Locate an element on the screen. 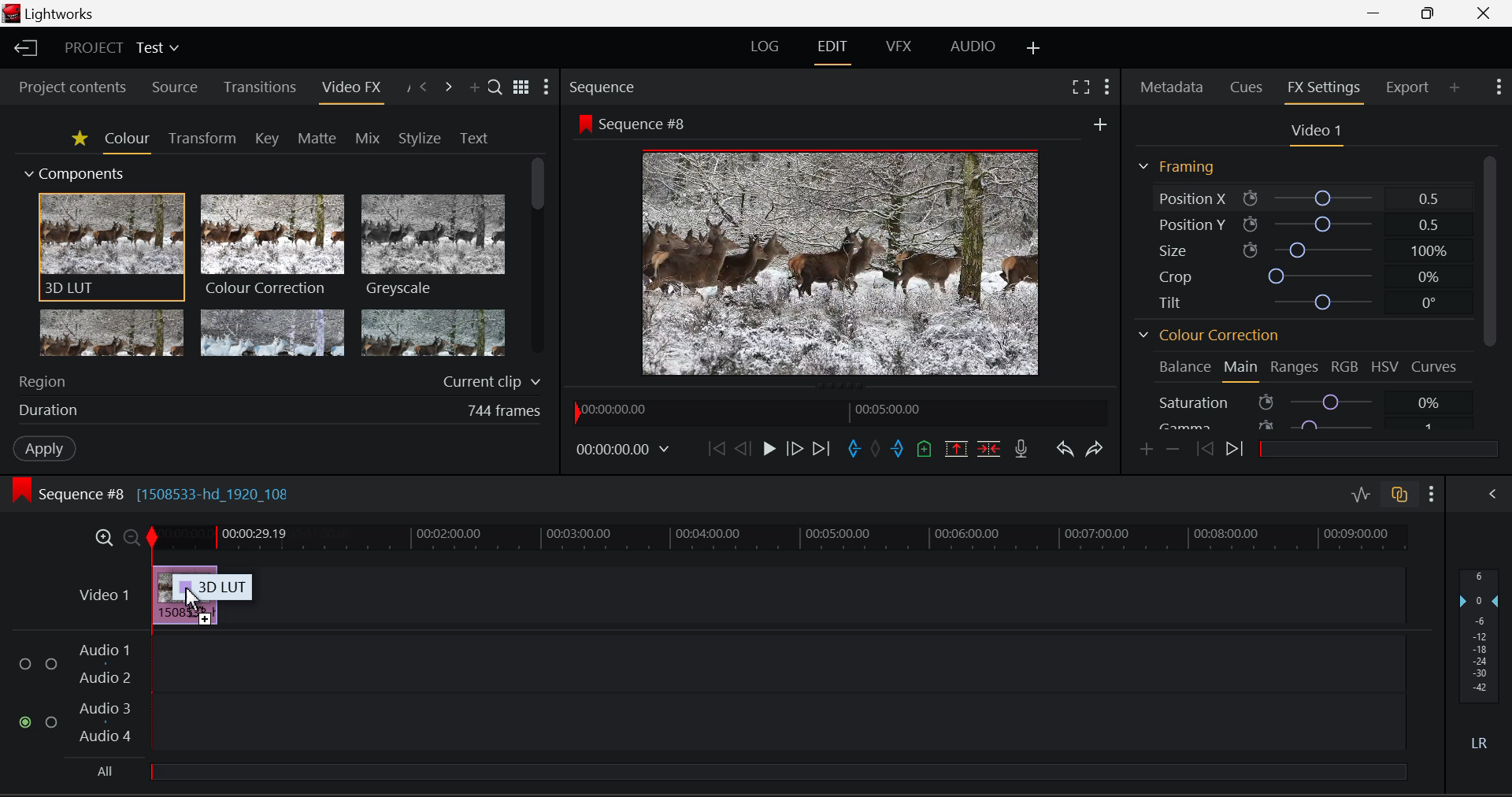 Image resolution: width=1512 pixels, height=797 pixels. Full Screen is located at coordinates (1080, 86).